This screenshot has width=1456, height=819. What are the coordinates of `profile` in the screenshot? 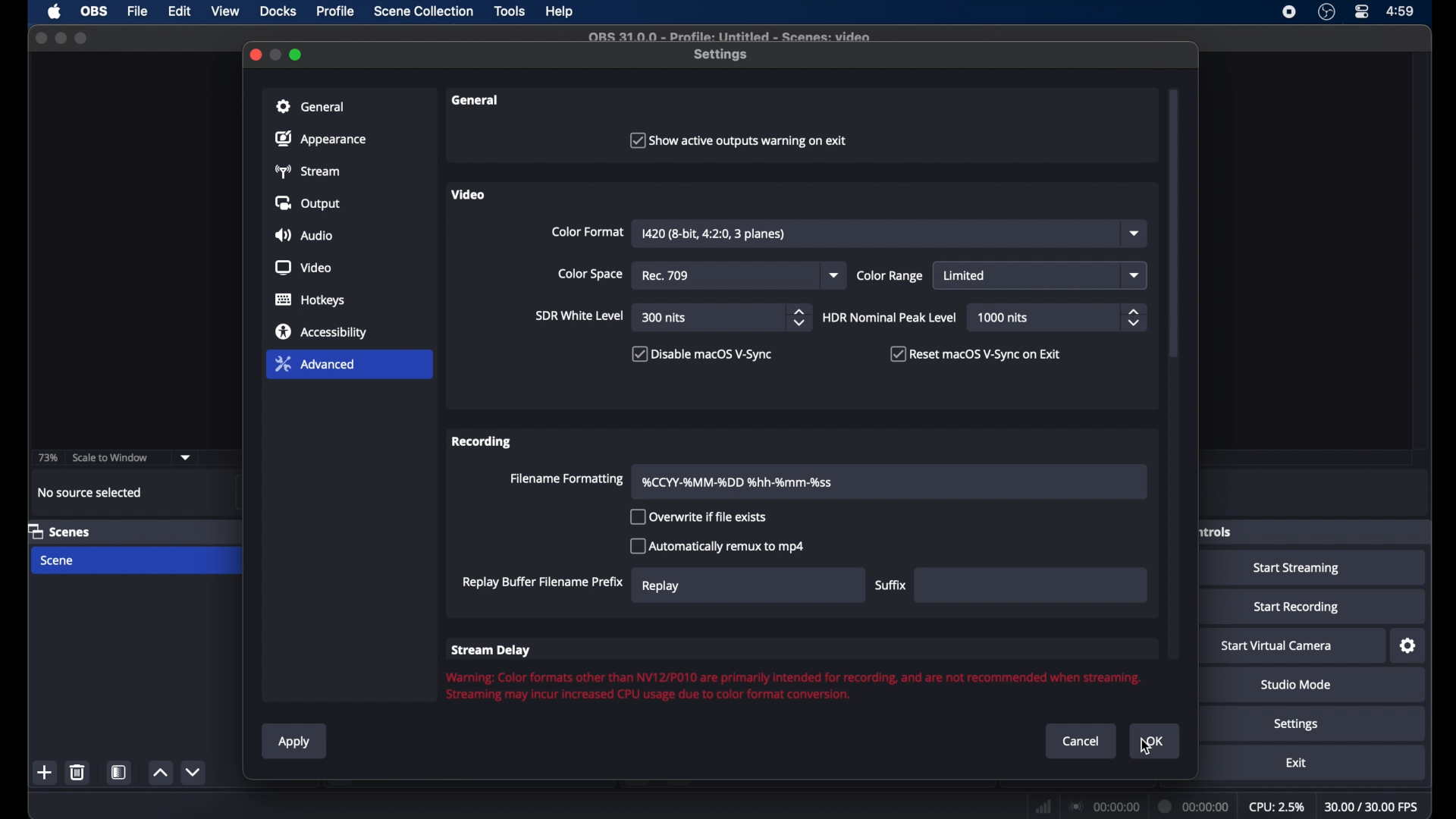 It's located at (337, 11).